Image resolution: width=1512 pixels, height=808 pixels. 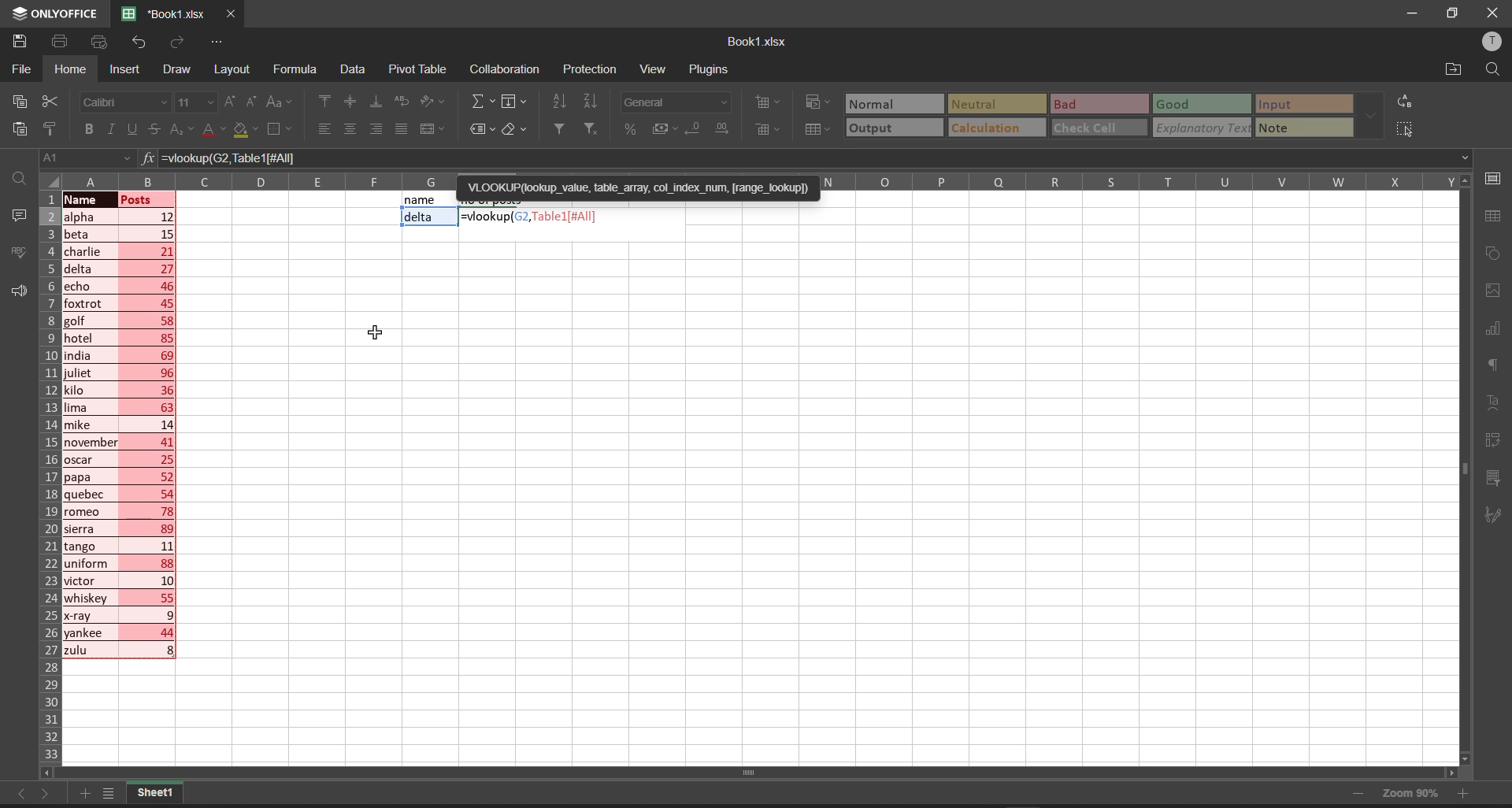 I want to click on sort descending, so click(x=594, y=102).